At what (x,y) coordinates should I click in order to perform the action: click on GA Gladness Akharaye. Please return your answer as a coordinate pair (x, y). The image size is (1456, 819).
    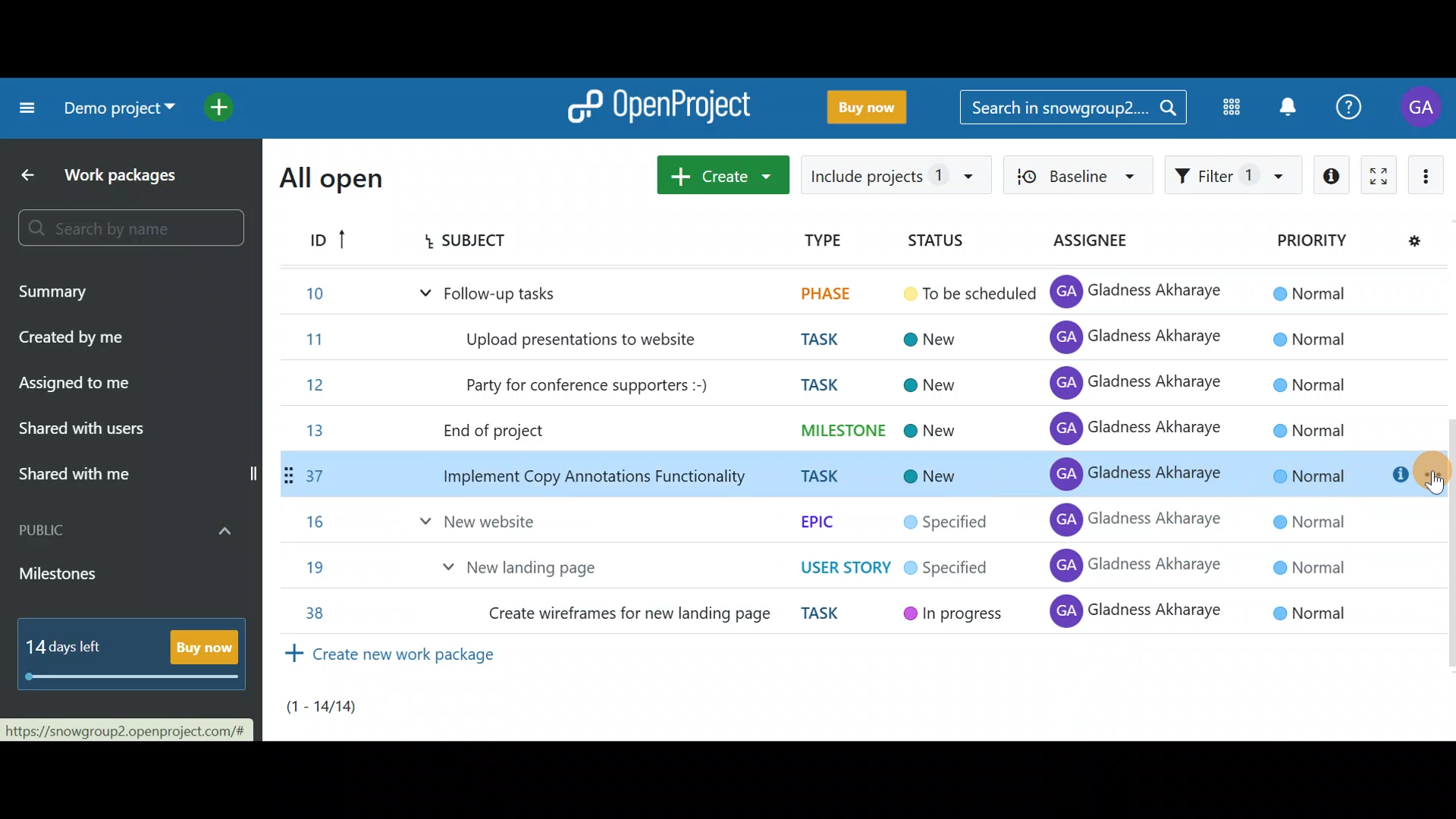
    Looking at the image, I should click on (1136, 288).